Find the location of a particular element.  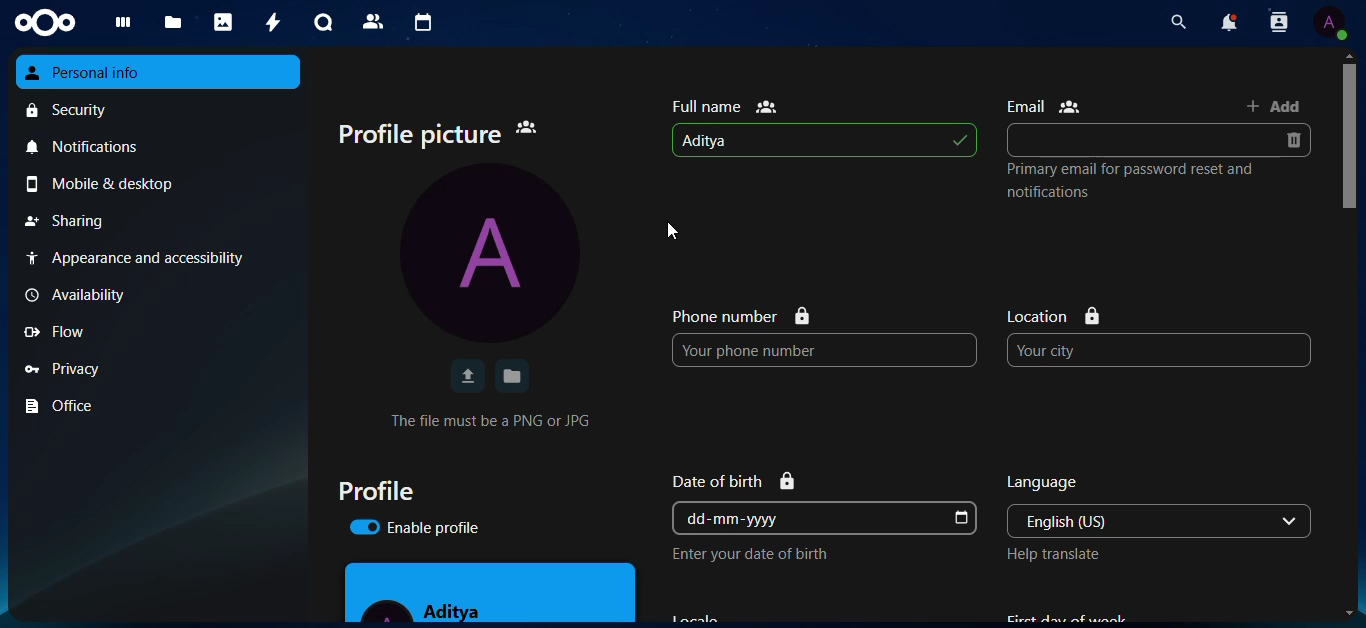

calendar is located at coordinates (419, 22).